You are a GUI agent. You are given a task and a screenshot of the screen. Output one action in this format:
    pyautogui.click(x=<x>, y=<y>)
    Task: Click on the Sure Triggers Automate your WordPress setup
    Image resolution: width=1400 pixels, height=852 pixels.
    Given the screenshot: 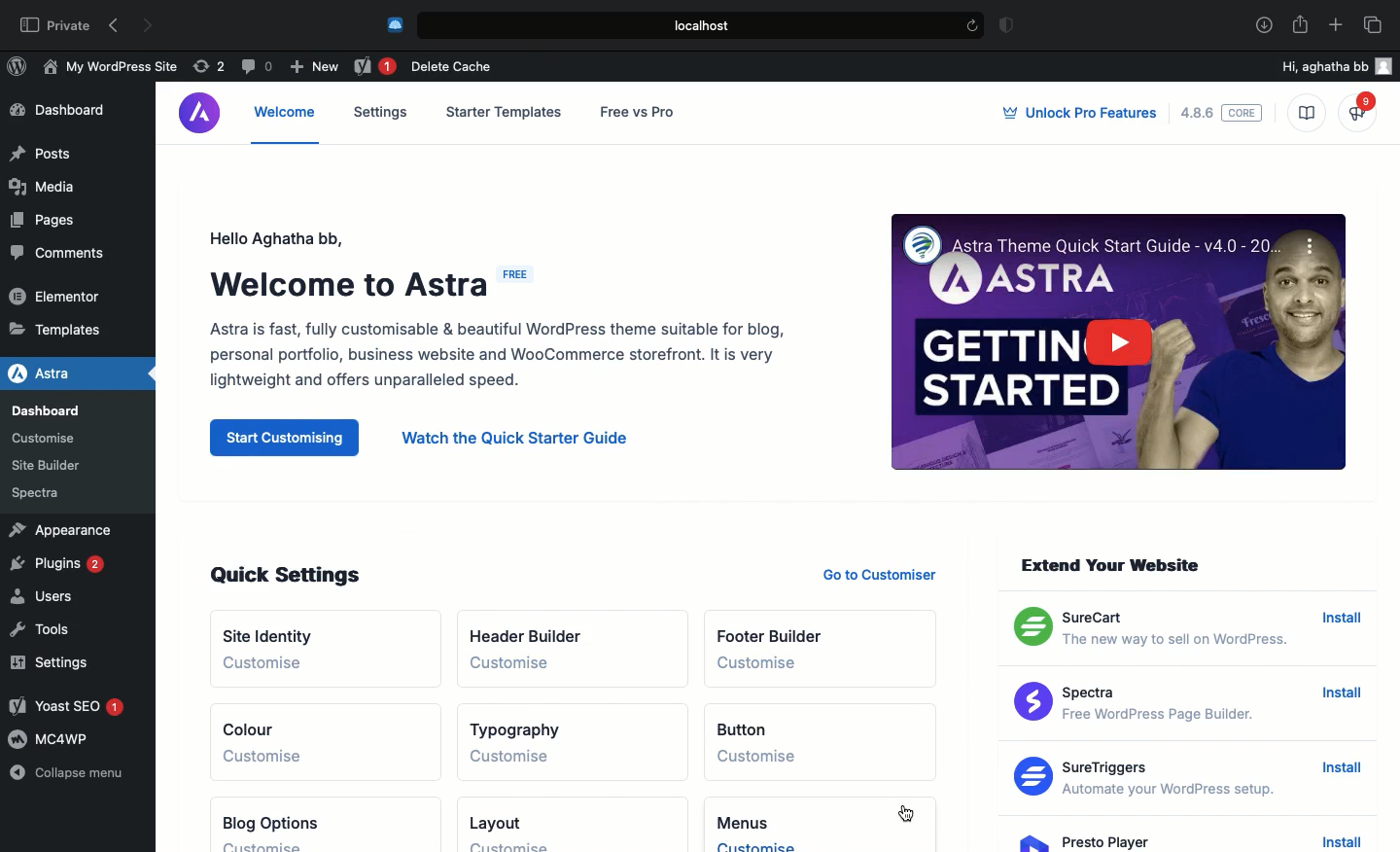 What is the action you would take?
    pyautogui.click(x=1138, y=778)
    